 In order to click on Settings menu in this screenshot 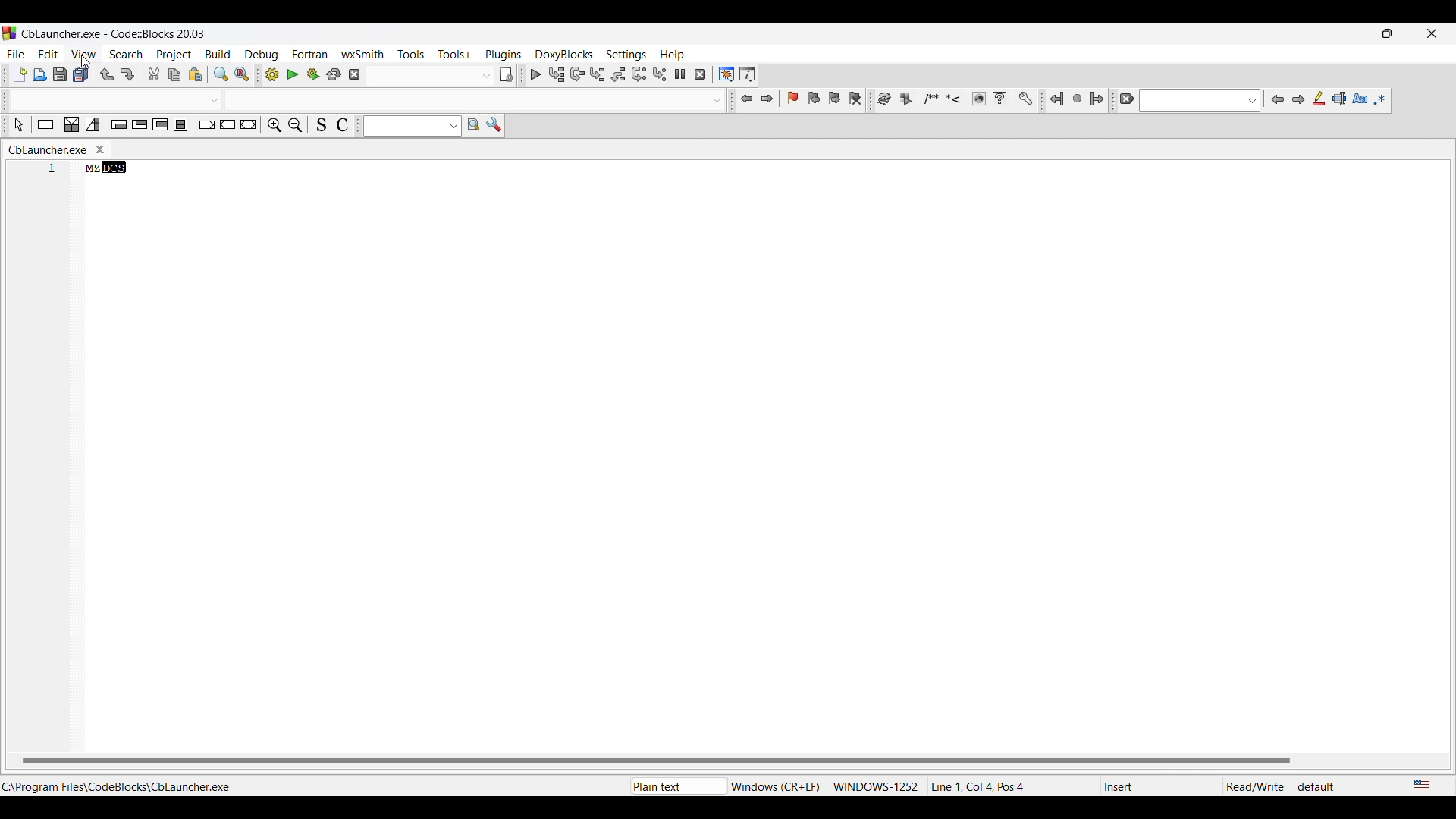, I will do `click(626, 55)`.